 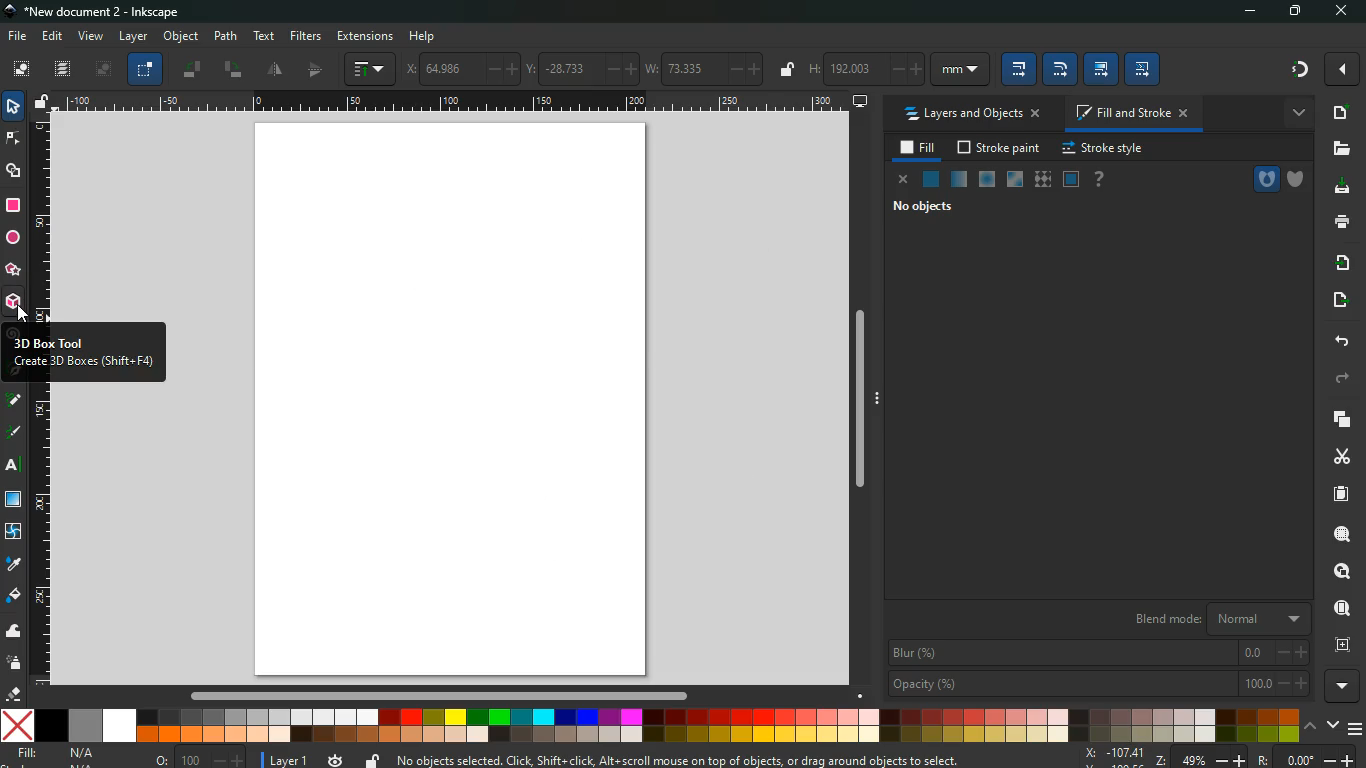 What do you see at coordinates (1301, 68) in the screenshot?
I see `gradient` at bounding box center [1301, 68].